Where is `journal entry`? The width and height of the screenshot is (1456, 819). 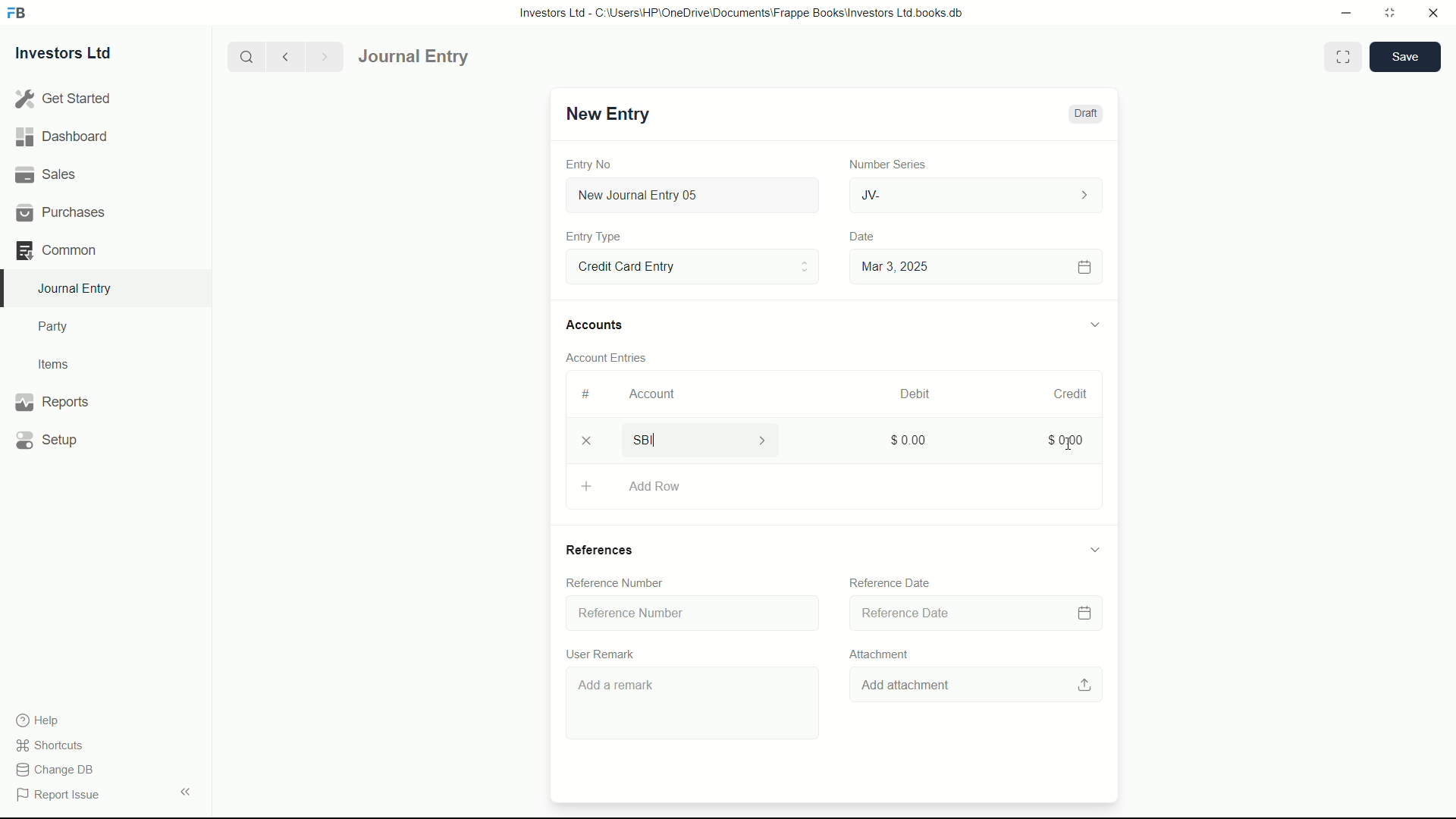
journal entry is located at coordinates (457, 57).